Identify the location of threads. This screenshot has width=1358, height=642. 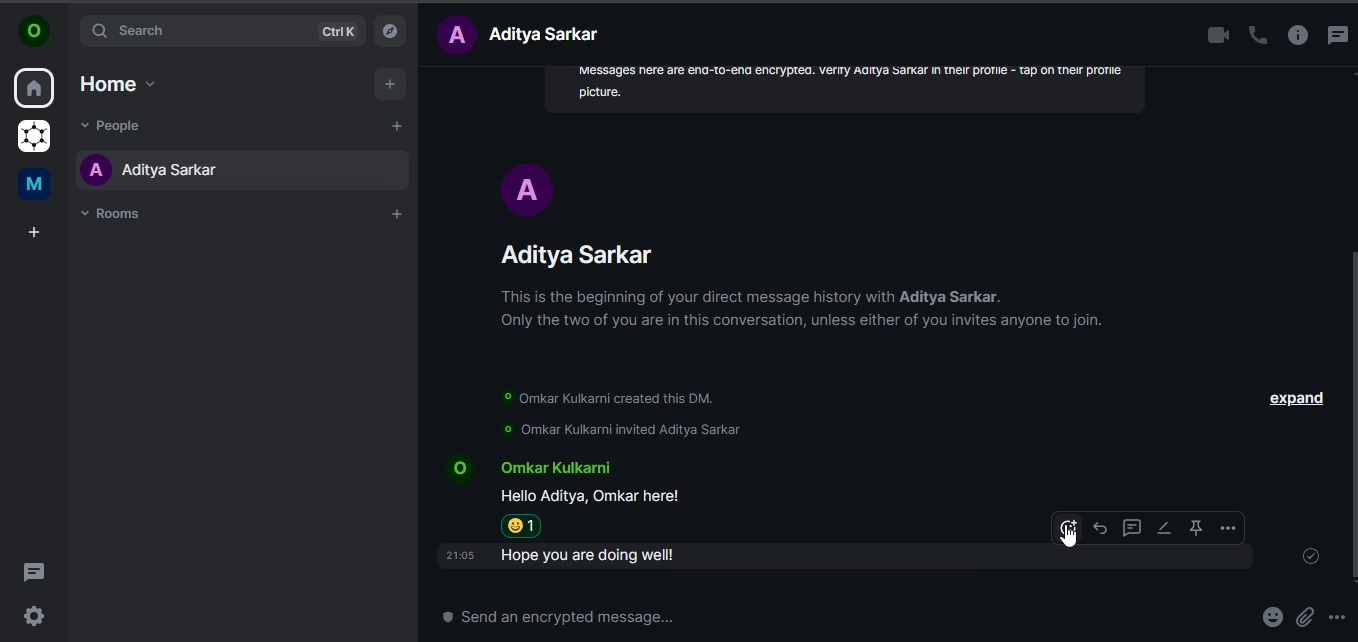
(34, 570).